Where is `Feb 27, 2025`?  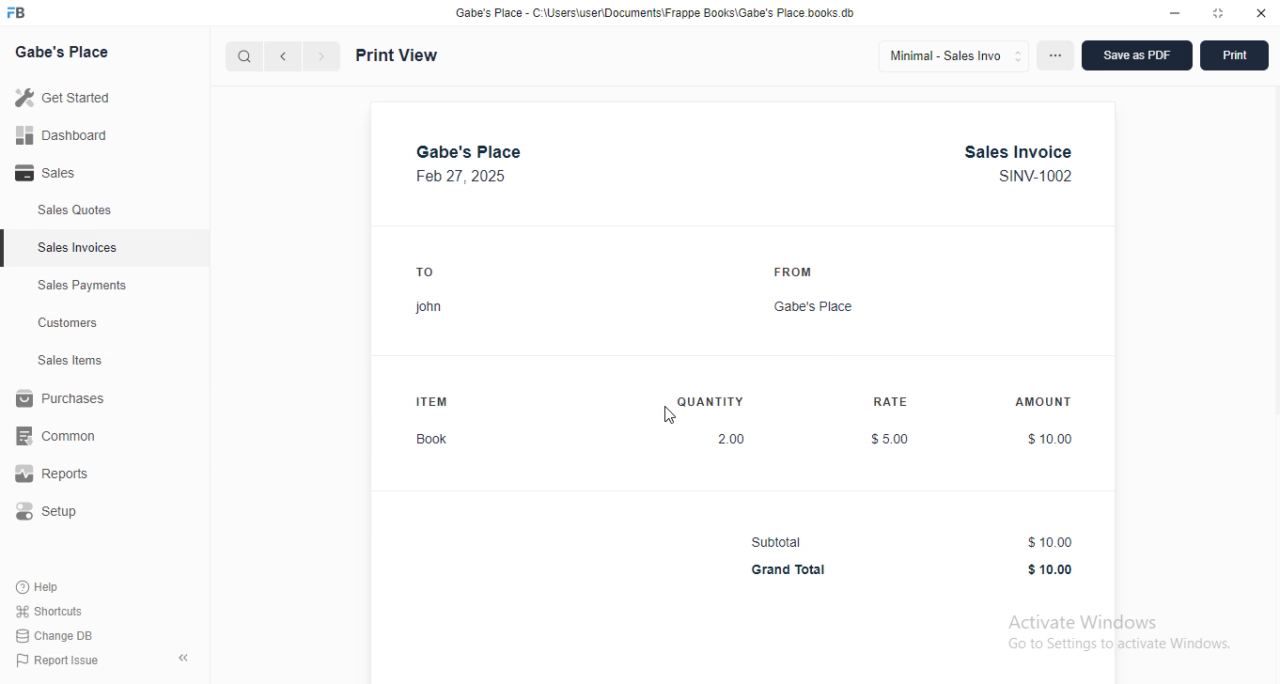 Feb 27, 2025 is located at coordinates (462, 177).